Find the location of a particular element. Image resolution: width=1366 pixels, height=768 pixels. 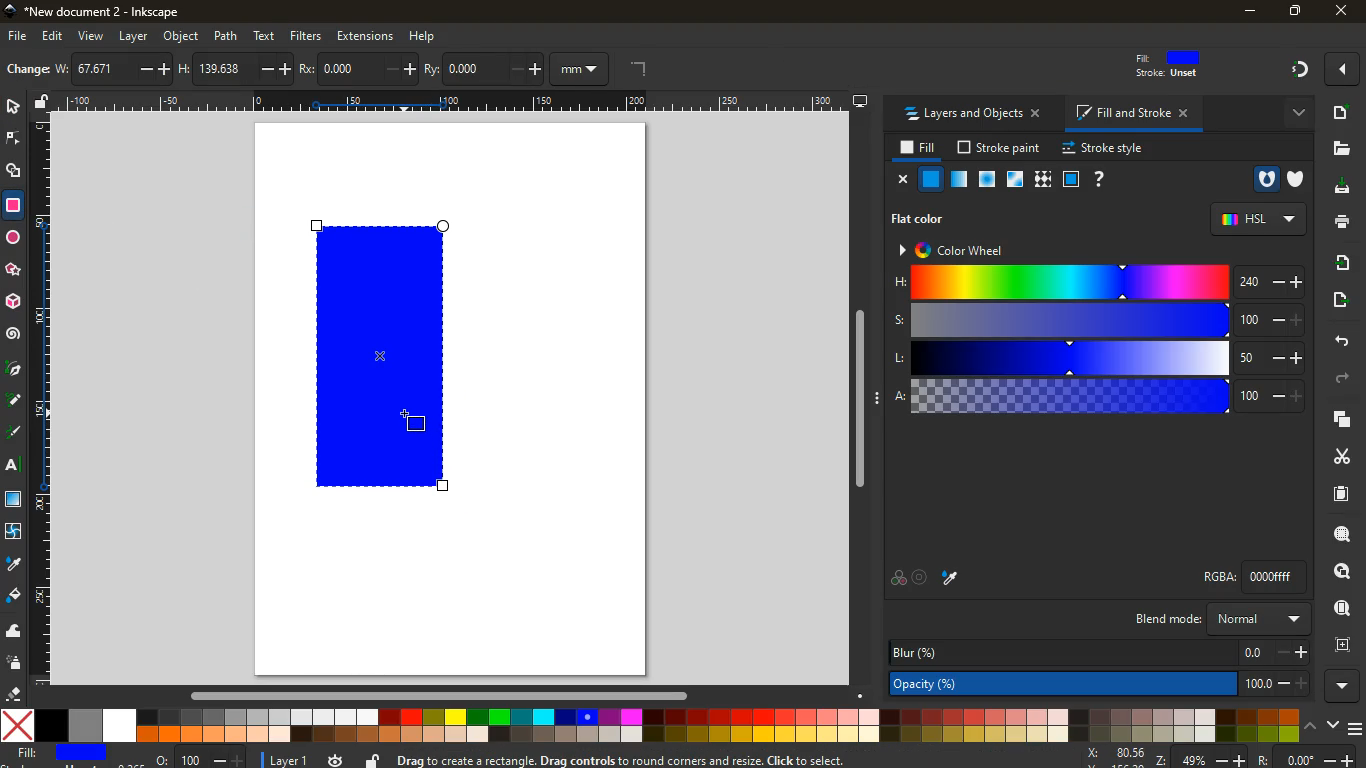

help is located at coordinates (1099, 179).